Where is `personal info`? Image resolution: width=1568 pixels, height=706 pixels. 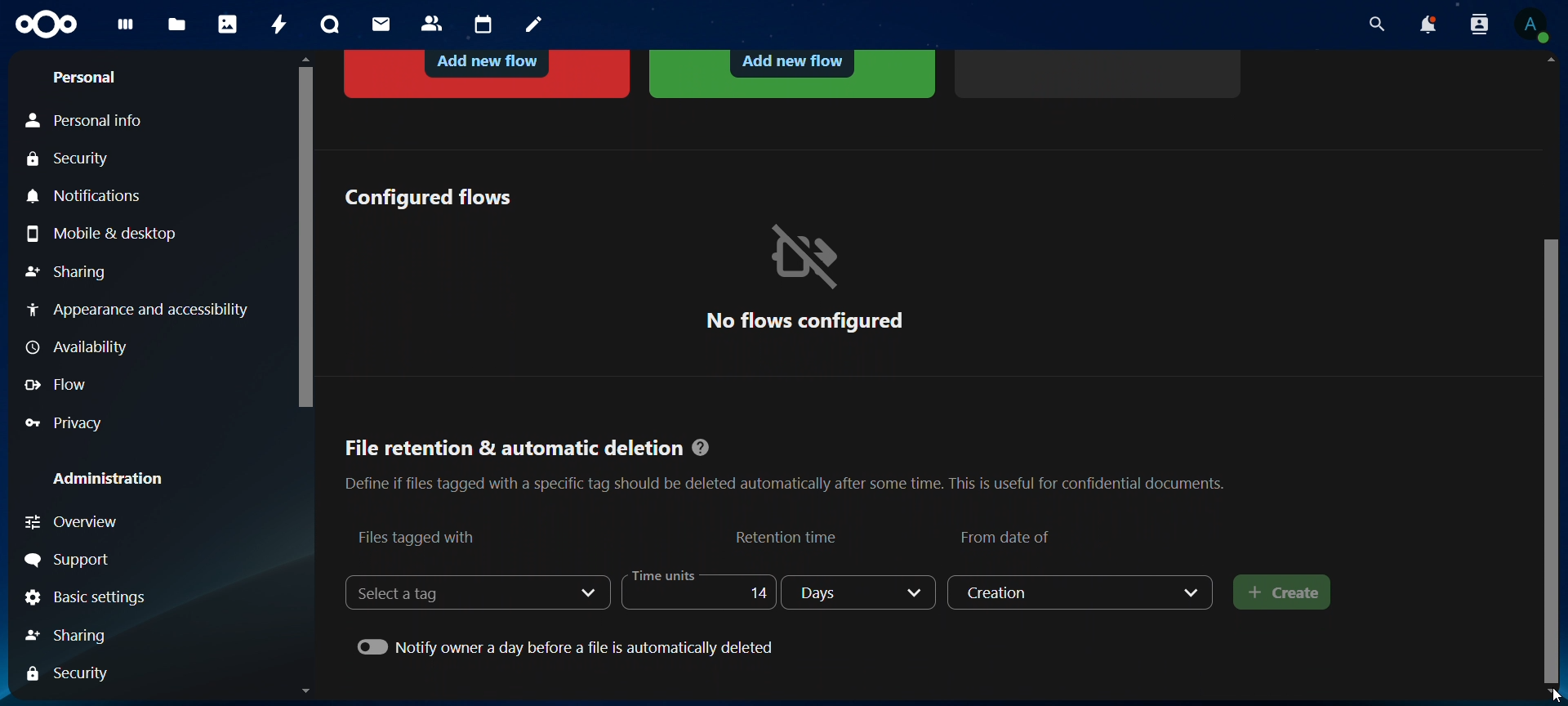 personal info is located at coordinates (95, 121).